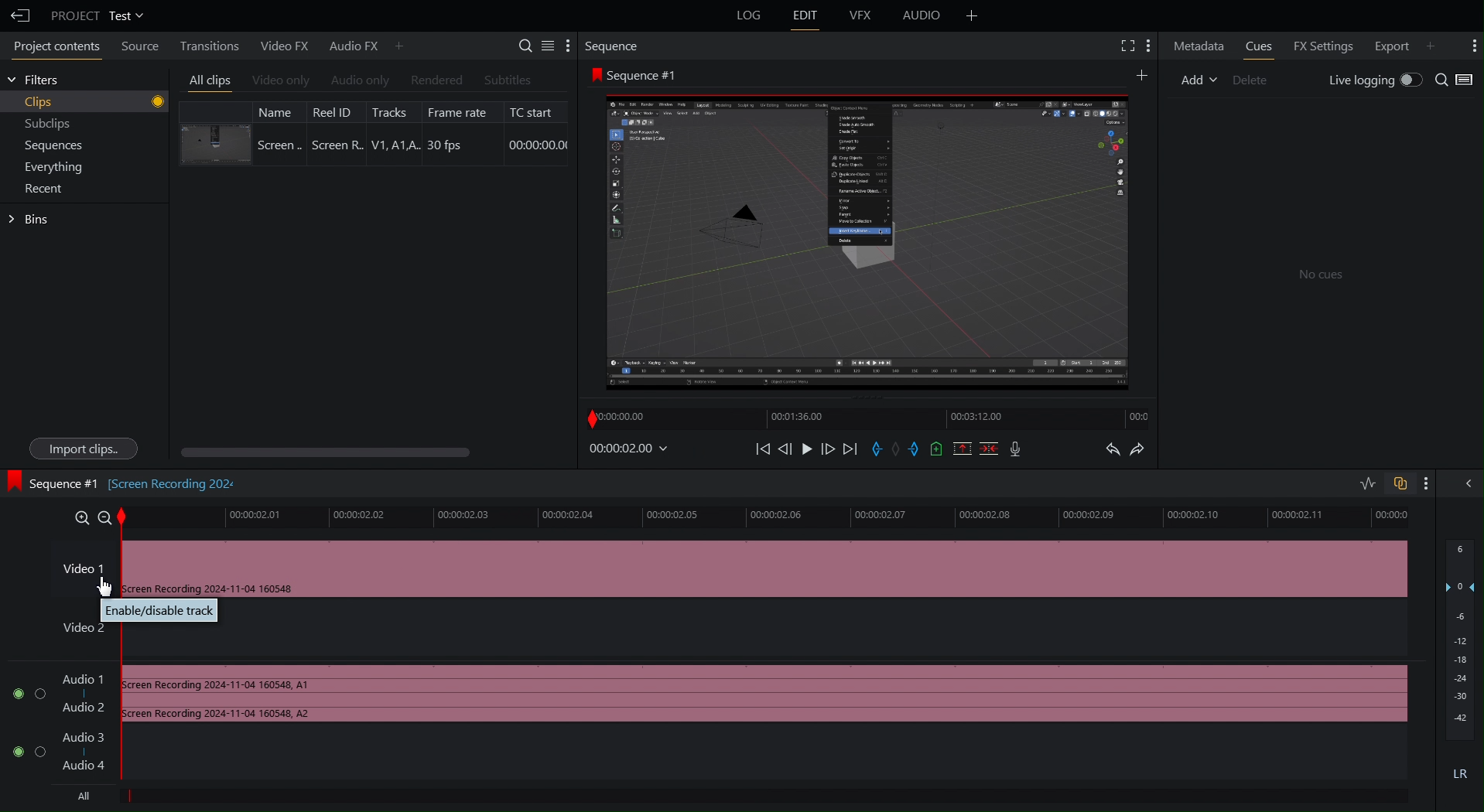  Describe the element at coordinates (861, 16) in the screenshot. I see `VFX` at that location.